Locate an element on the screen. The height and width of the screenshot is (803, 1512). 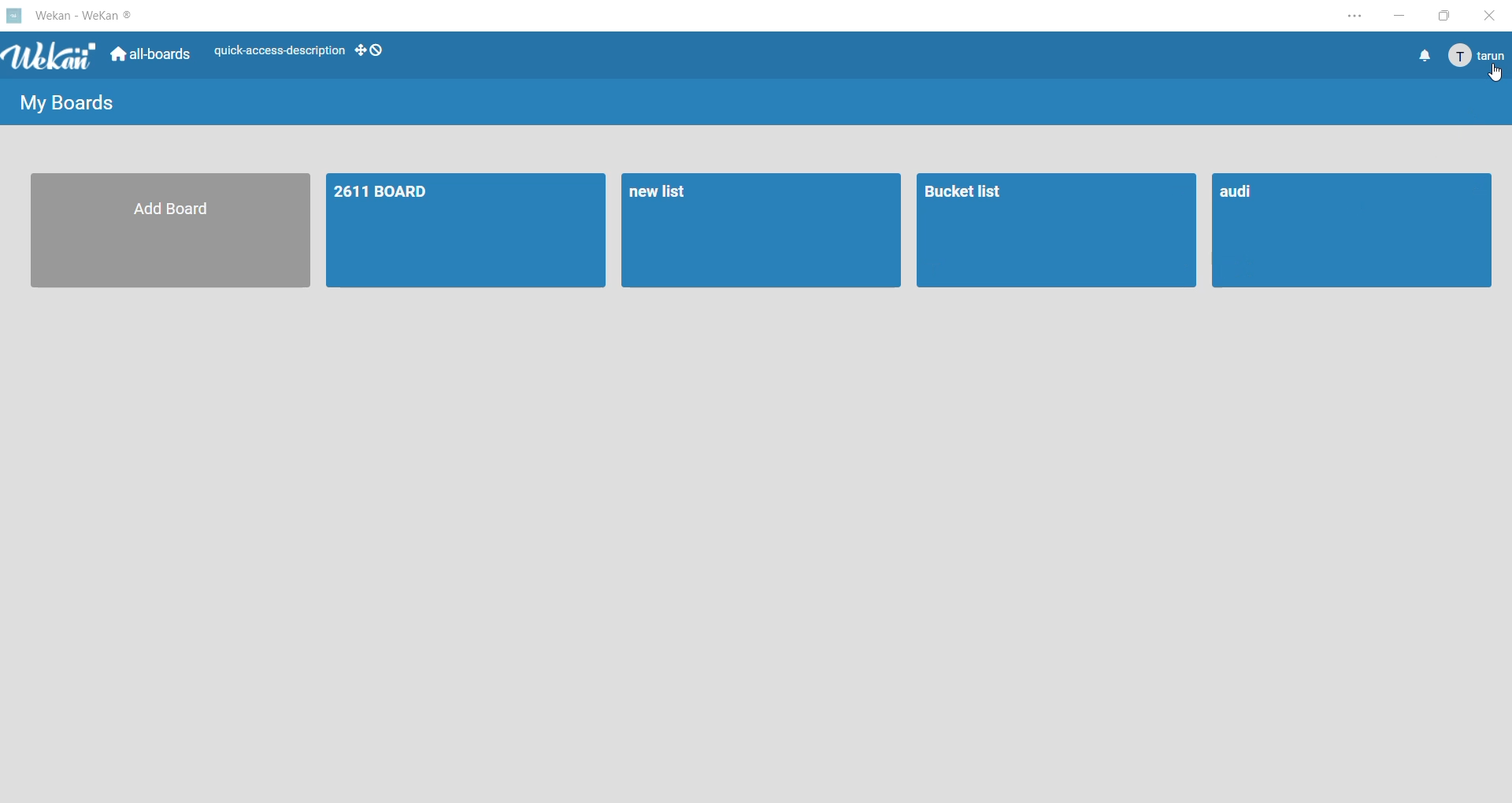
my boards is located at coordinates (61, 103).